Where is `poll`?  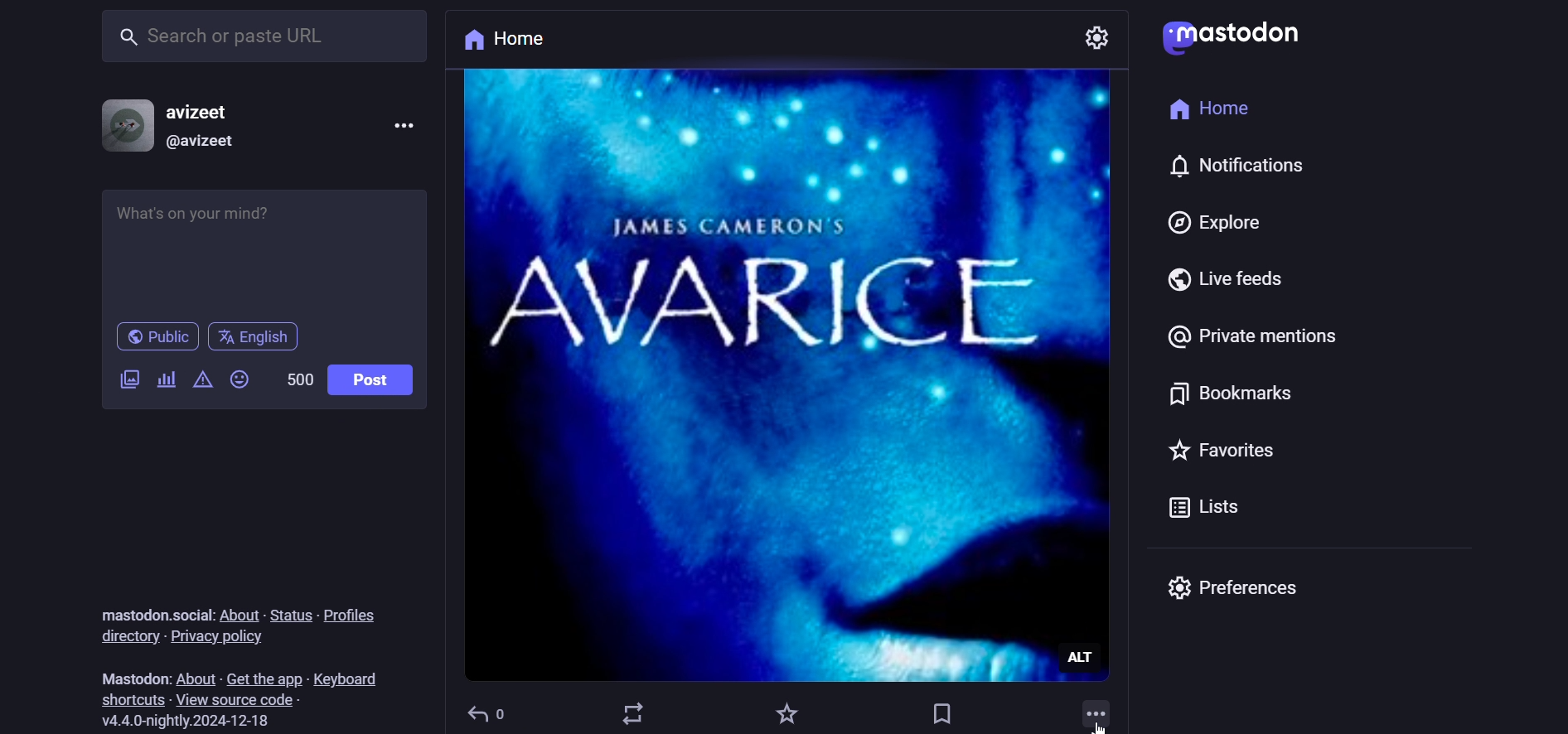
poll is located at coordinates (169, 381).